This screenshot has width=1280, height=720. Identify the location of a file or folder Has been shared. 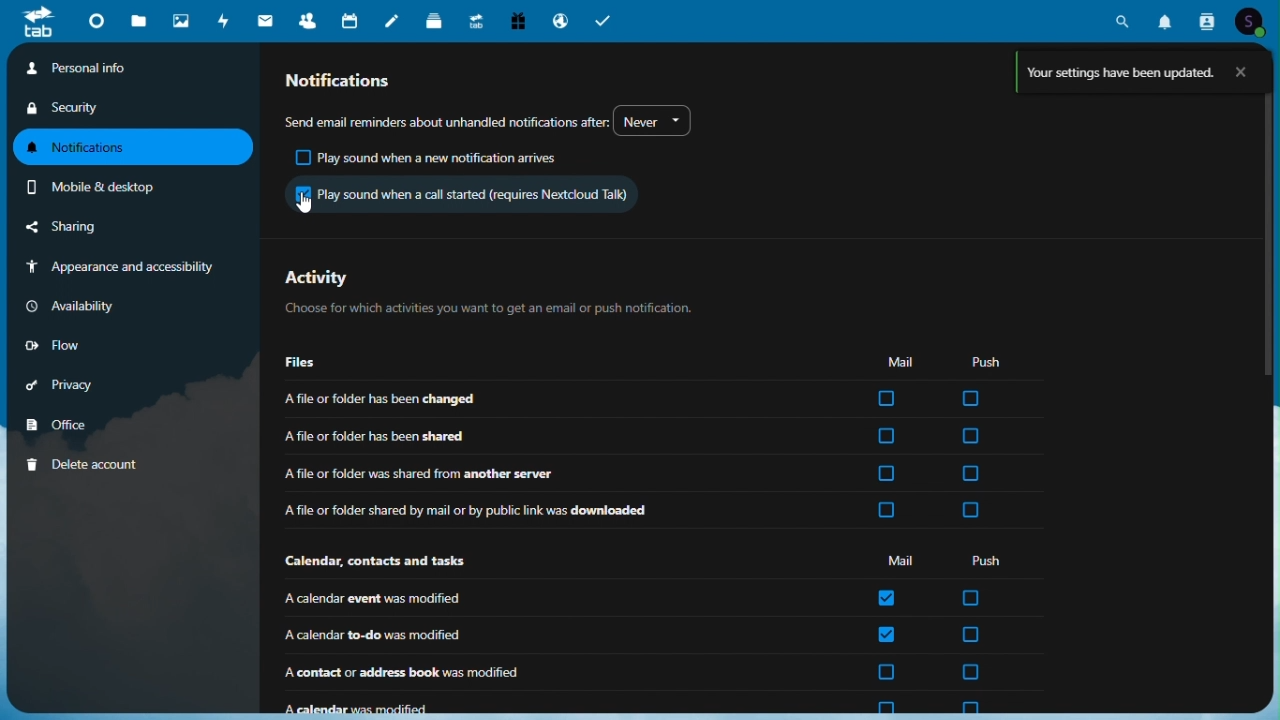
(533, 437).